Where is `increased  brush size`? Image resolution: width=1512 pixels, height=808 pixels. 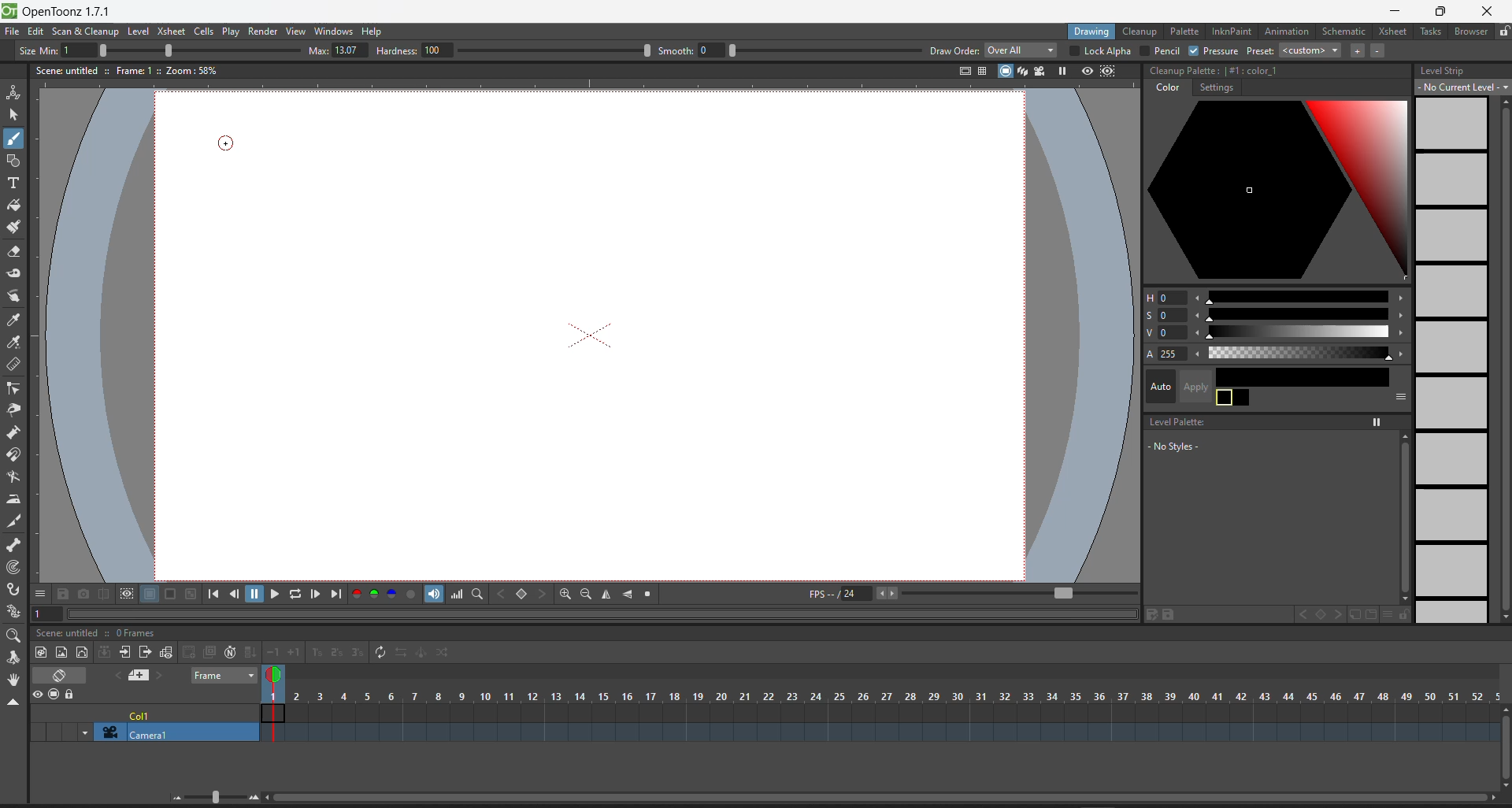
increased  brush size is located at coordinates (335, 51).